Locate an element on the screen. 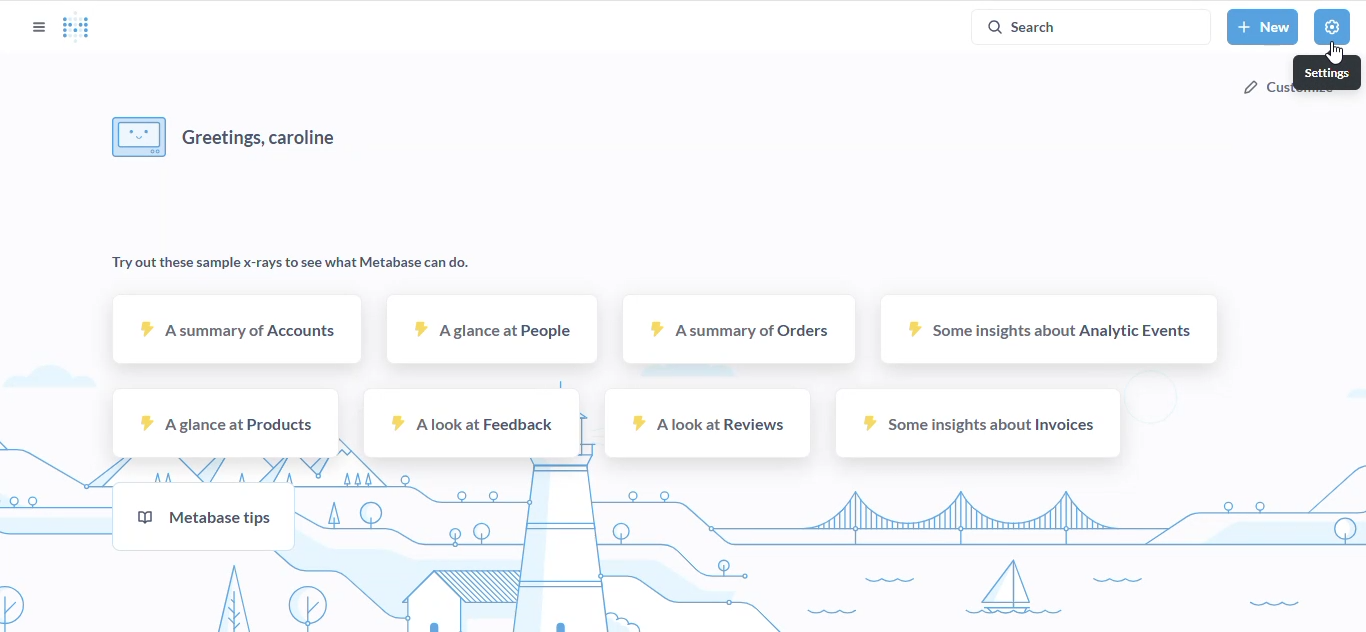  a look at feedback is located at coordinates (472, 423).